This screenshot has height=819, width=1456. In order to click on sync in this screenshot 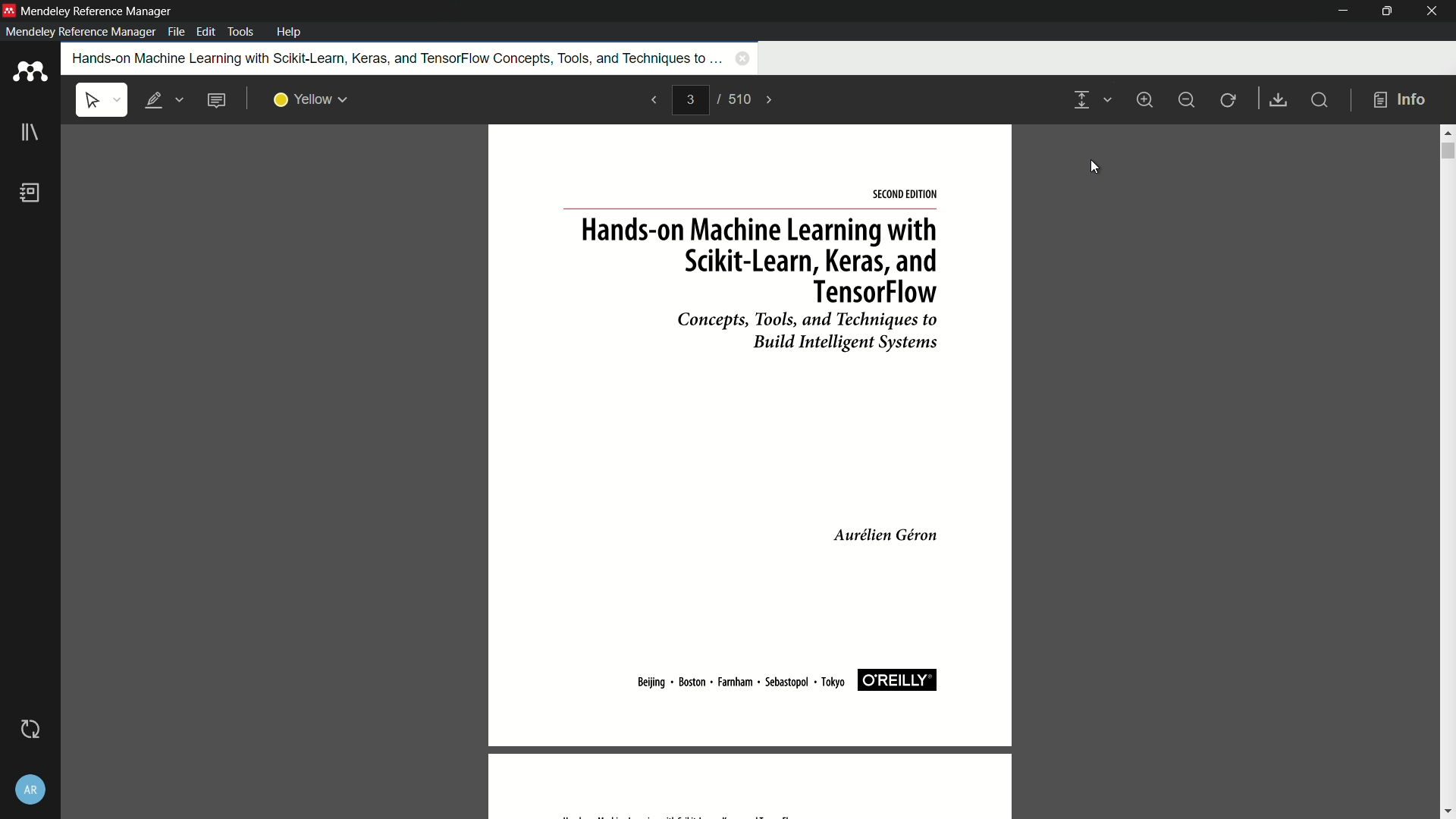, I will do `click(30, 730)`.